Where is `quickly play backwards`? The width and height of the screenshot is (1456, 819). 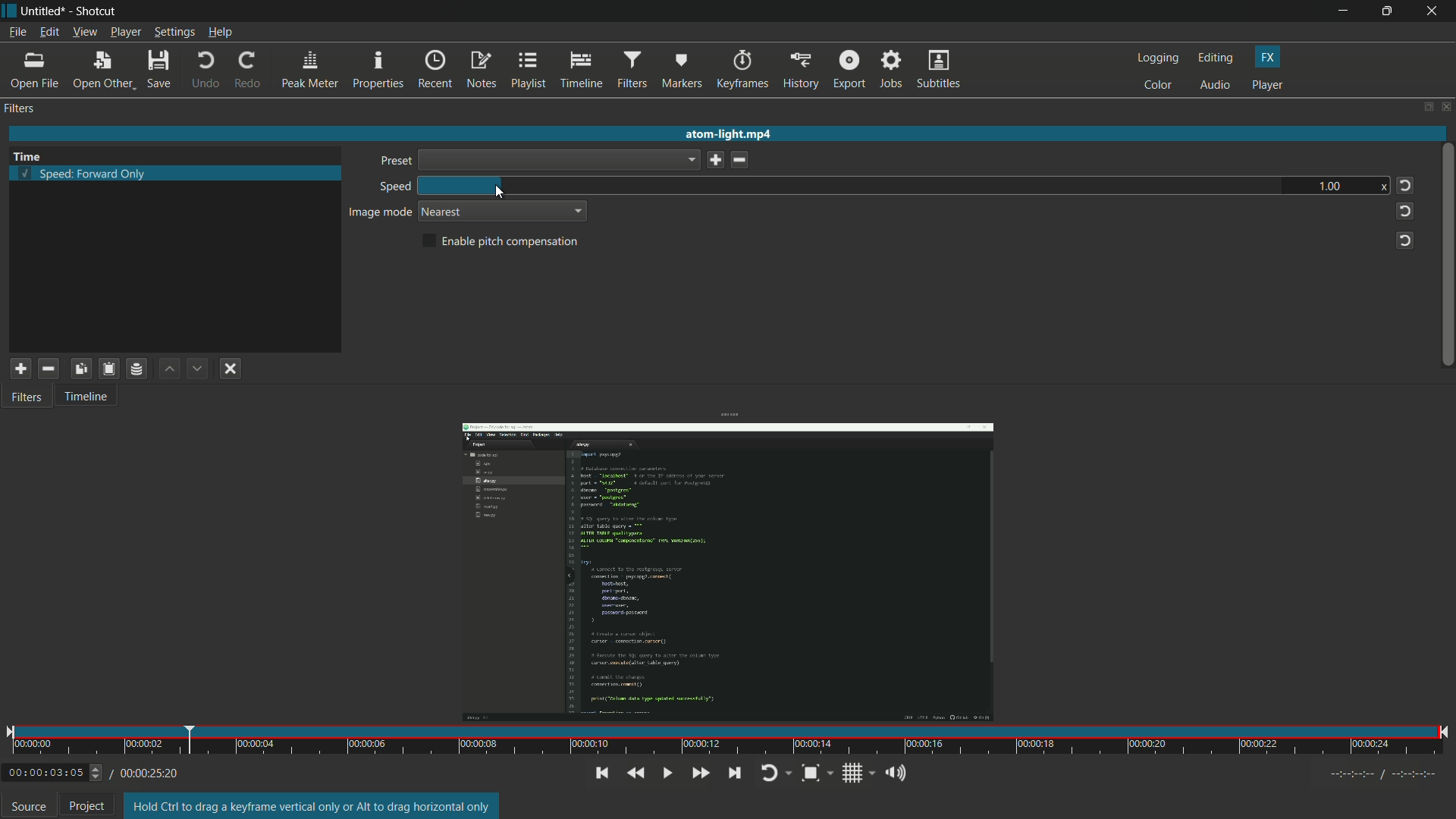
quickly play backwards is located at coordinates (636, 773).